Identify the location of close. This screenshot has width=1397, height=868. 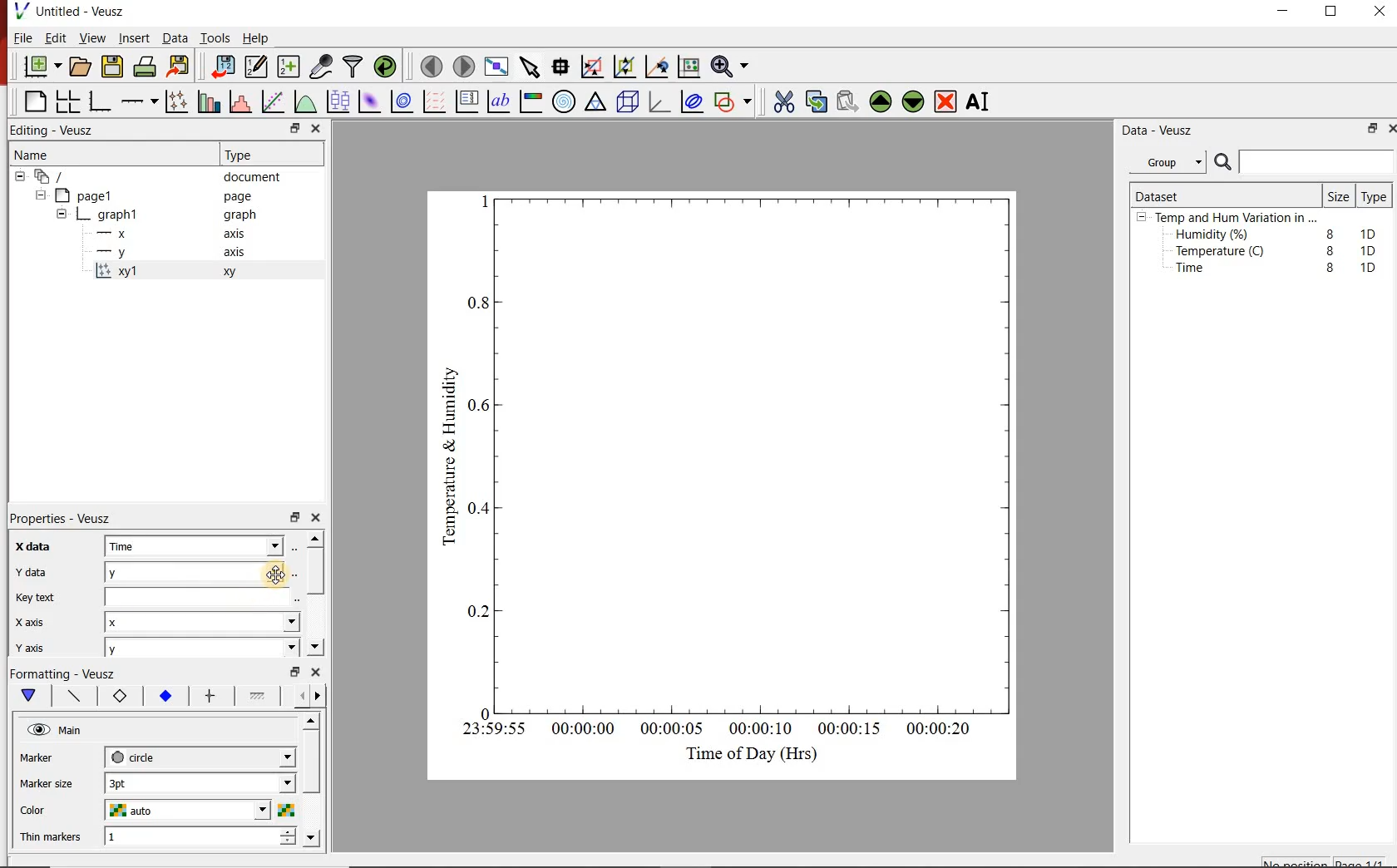
(1389, 128).